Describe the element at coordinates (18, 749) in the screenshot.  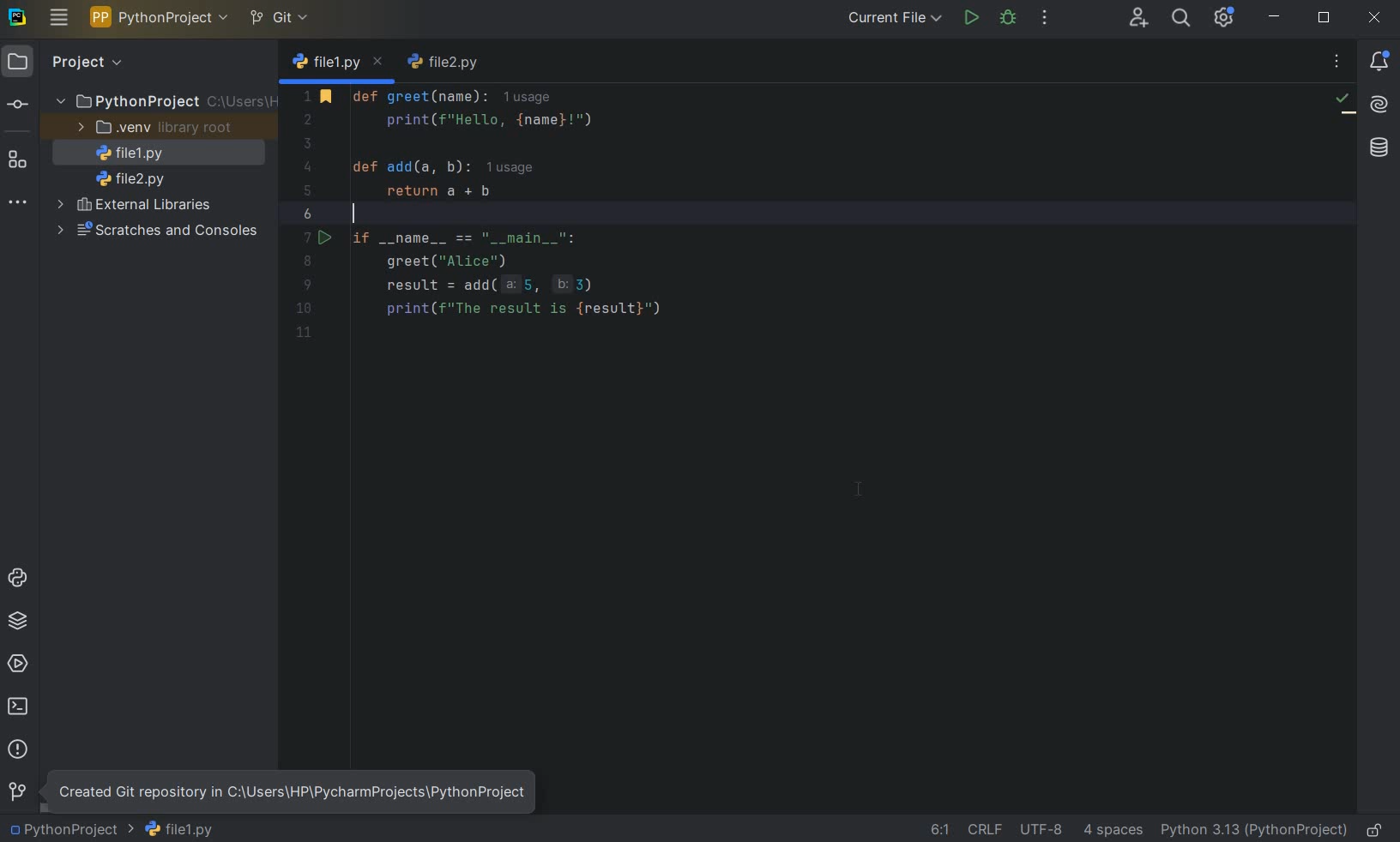
I see `problems` at that location.